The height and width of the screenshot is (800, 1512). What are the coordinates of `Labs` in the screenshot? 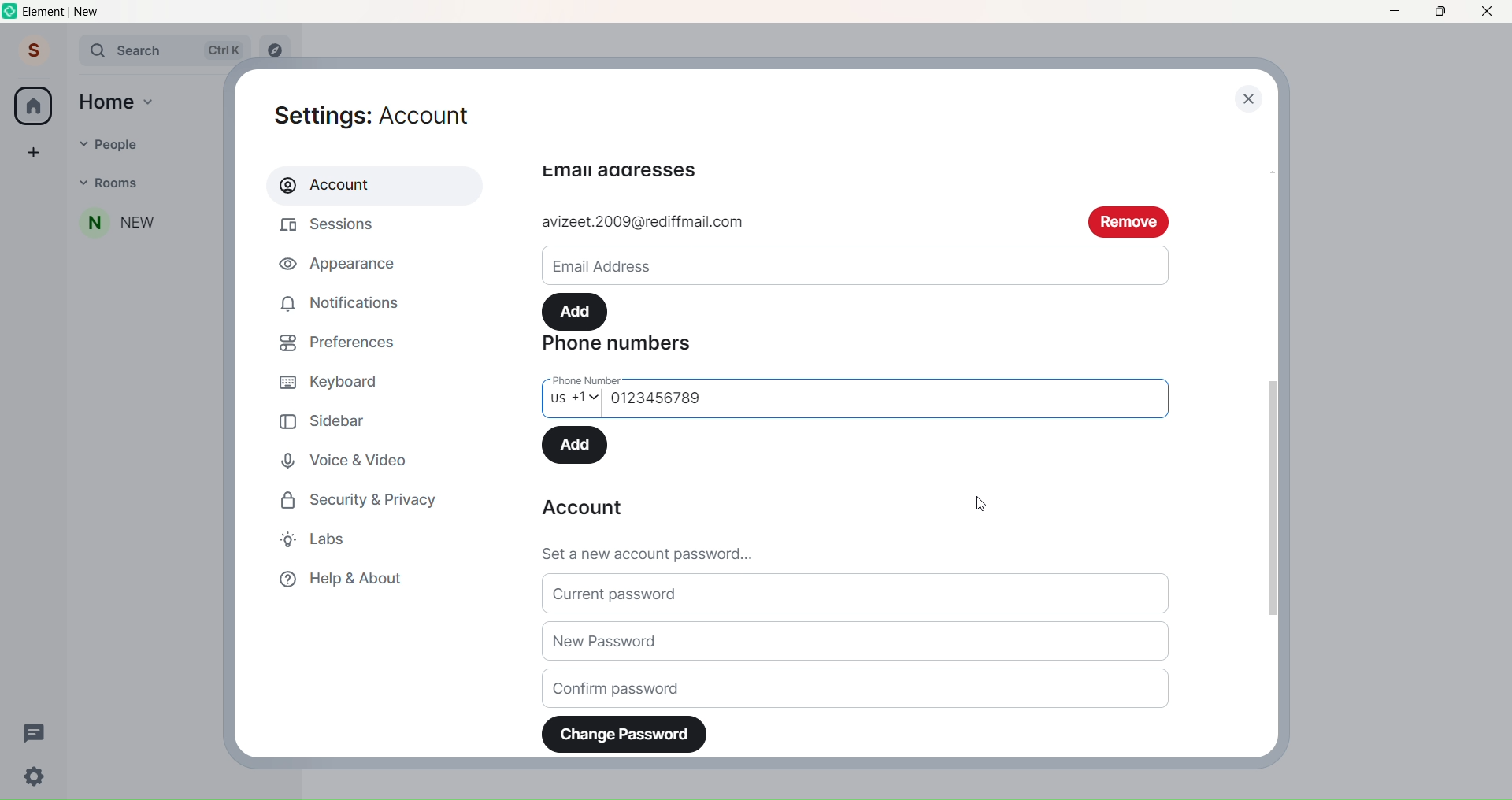 It's located at (326, 539).